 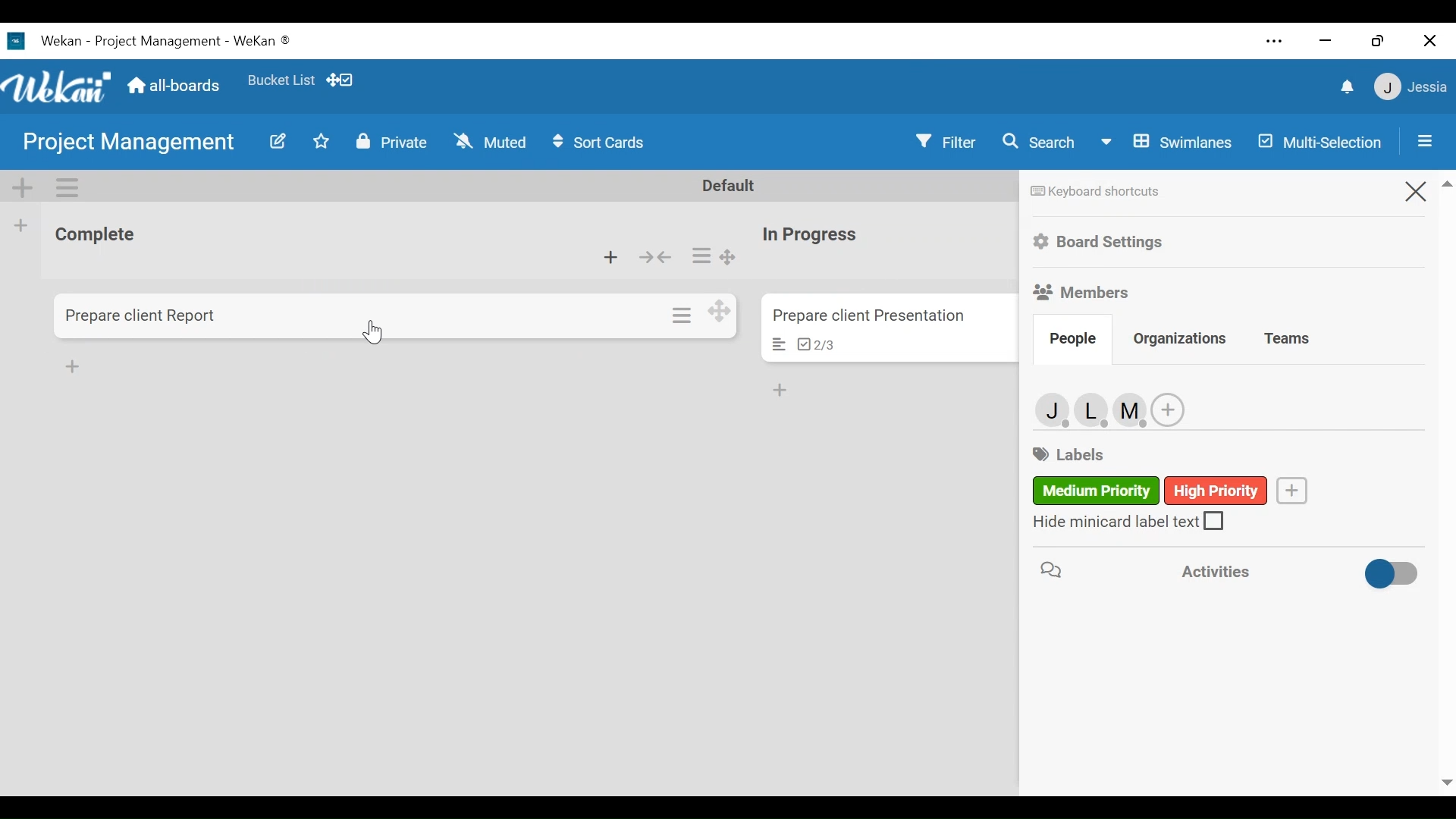 What do you see at coordinates (1288, 338) in the screenshot?
I see `Teams` at bounding box center [1288, 338].